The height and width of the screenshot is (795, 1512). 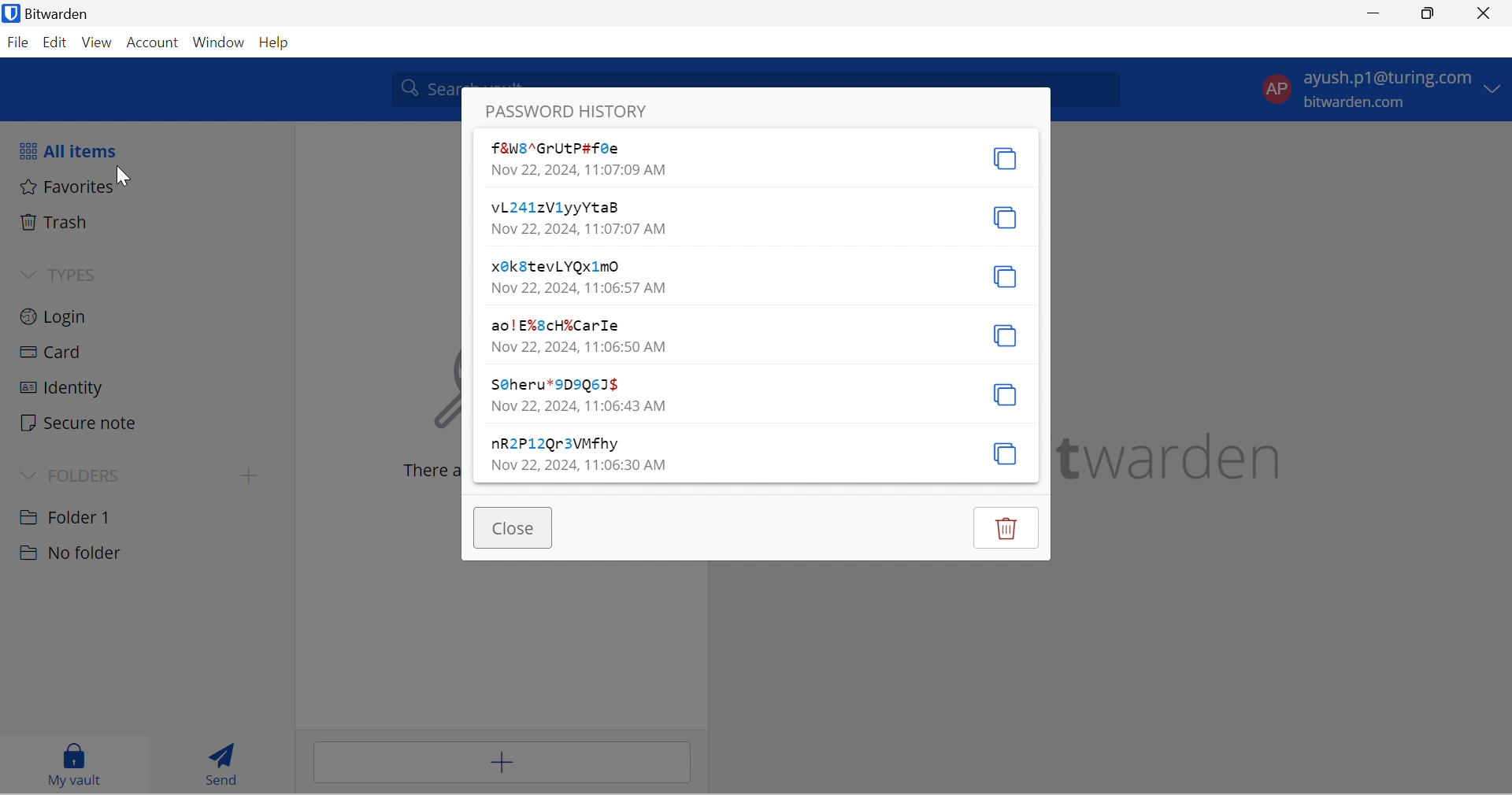 What do you see at coordinates (580, 405) in the screenshot?
I see `Nov 22, 2024, 11:06:43 AM` at bounding box center [580, 405].